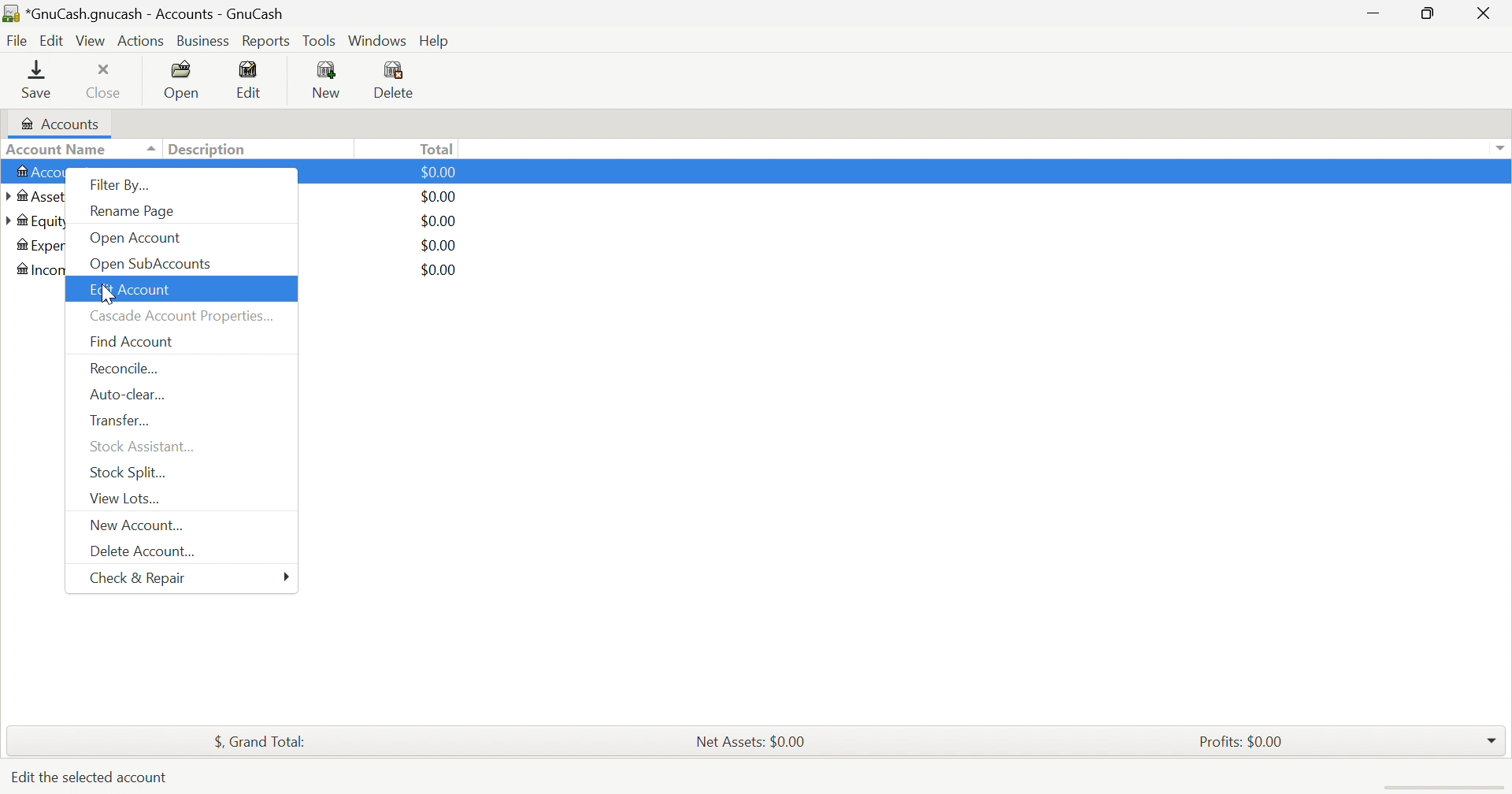 This screenshot has height=794, width=1512. Describe the element at coordinates (755, 741) in the screenshot. I see `Net Assets: $0.00` at that location.